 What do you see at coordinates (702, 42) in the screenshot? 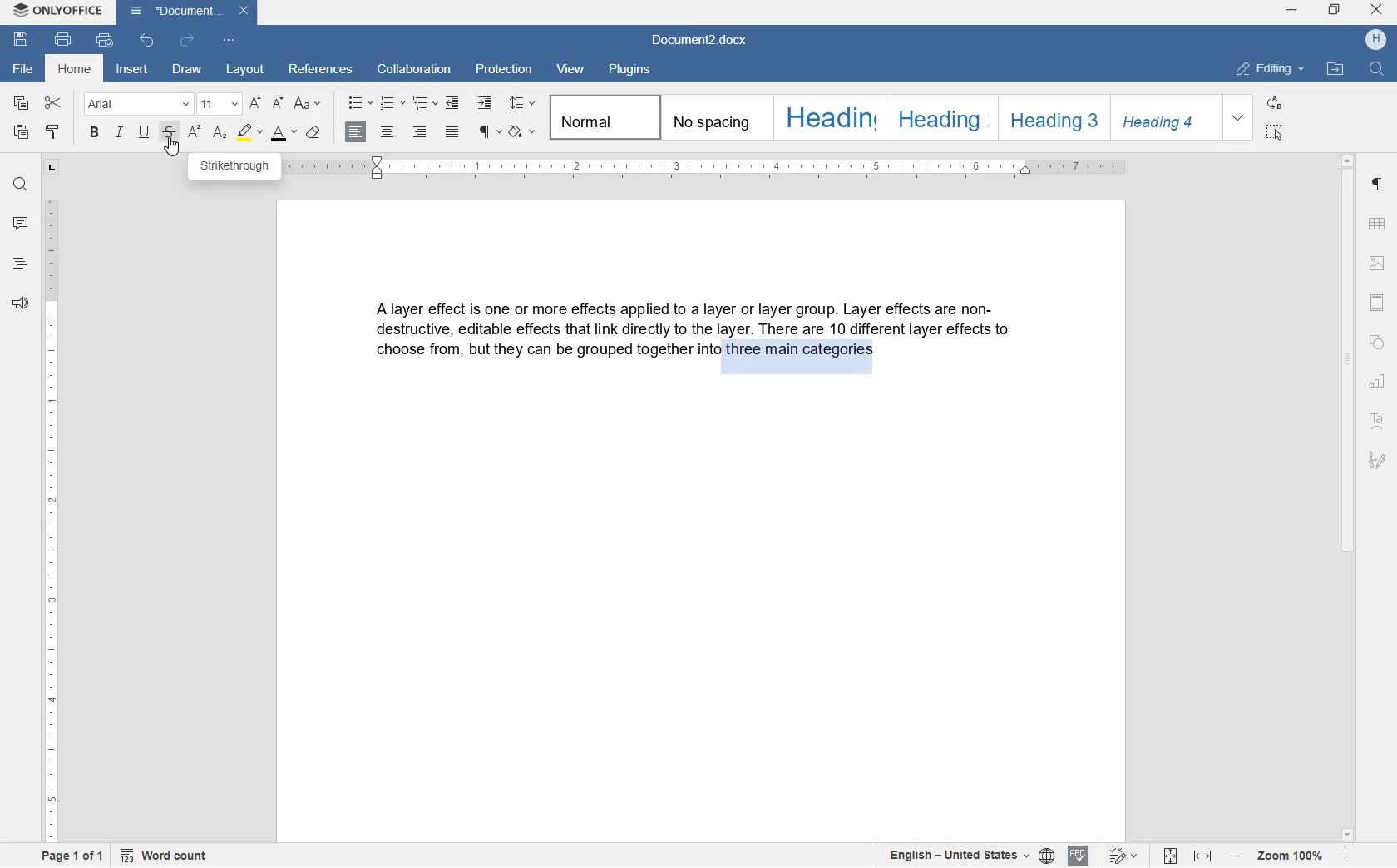
I see `document2.docx` at bounding box center [702, 42].